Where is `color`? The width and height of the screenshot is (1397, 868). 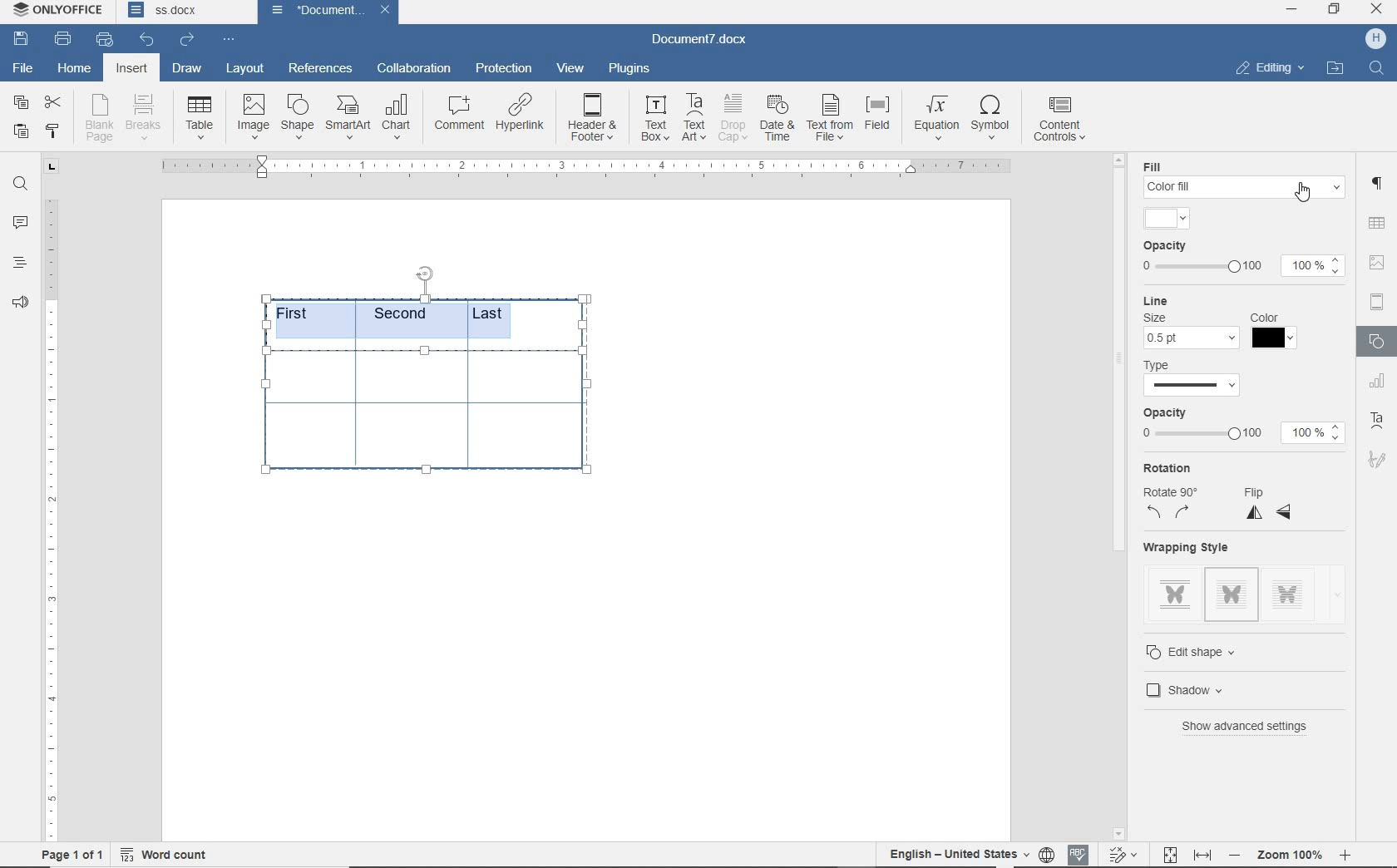 color is located at coordinates (1265, 316).